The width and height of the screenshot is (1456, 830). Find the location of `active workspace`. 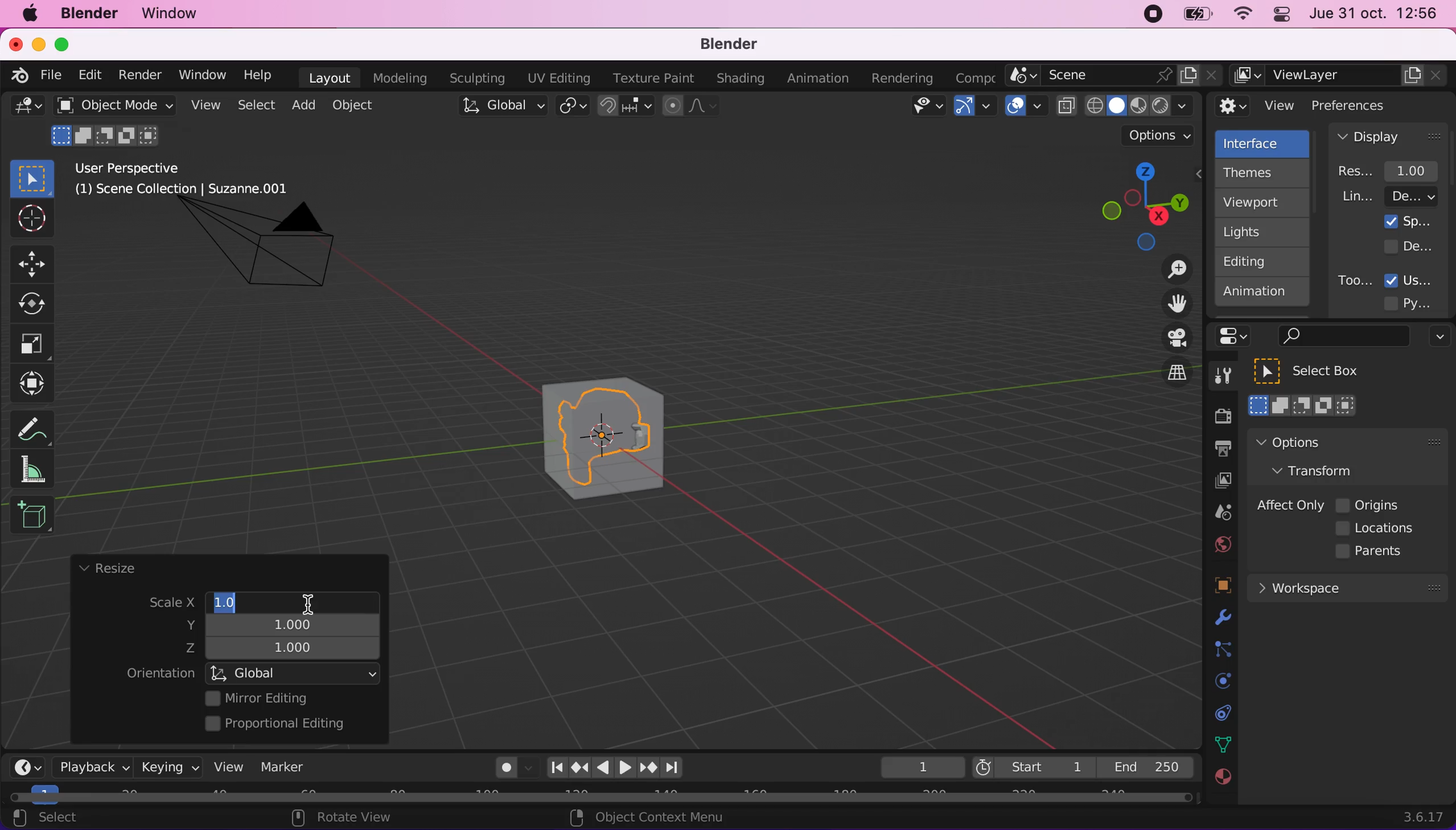

active workspace is located at coordinates (971, 76).